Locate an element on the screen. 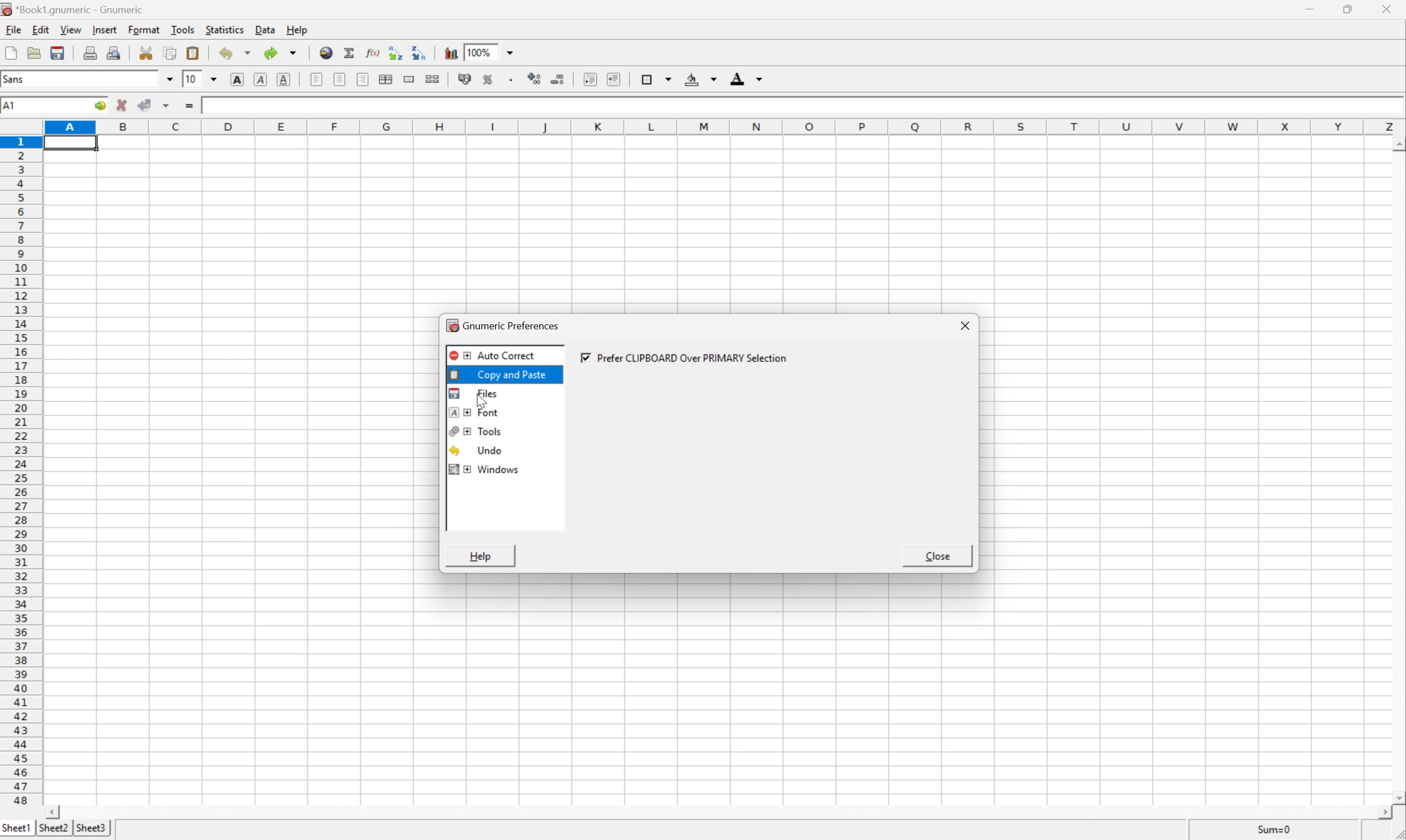 The width and height of the screenshot is (1406, 840). Sort the selected region in ascending order based on the first column selected is located at coordinates (395, 52).